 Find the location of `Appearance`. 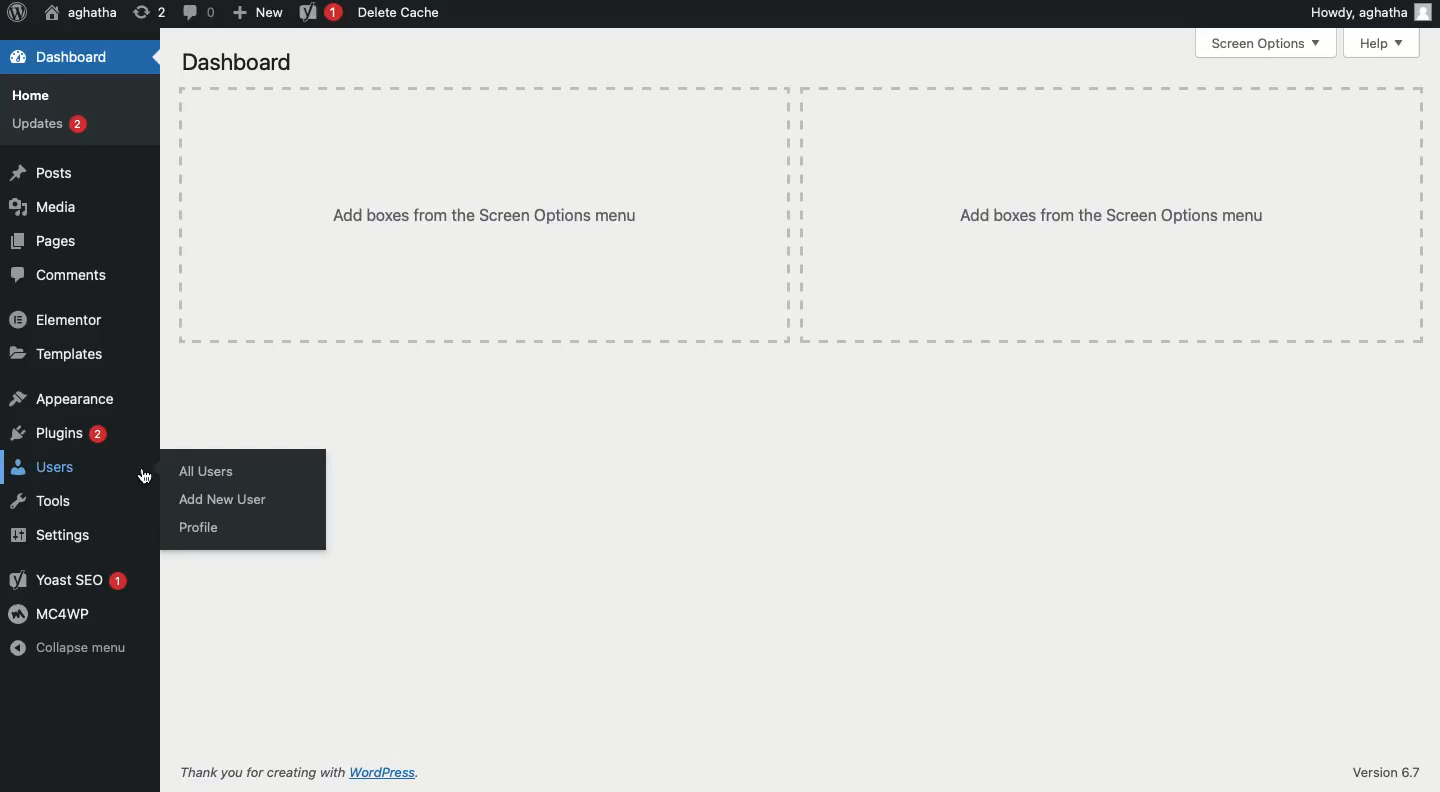

Appearance is located at coordinates (64, 398).